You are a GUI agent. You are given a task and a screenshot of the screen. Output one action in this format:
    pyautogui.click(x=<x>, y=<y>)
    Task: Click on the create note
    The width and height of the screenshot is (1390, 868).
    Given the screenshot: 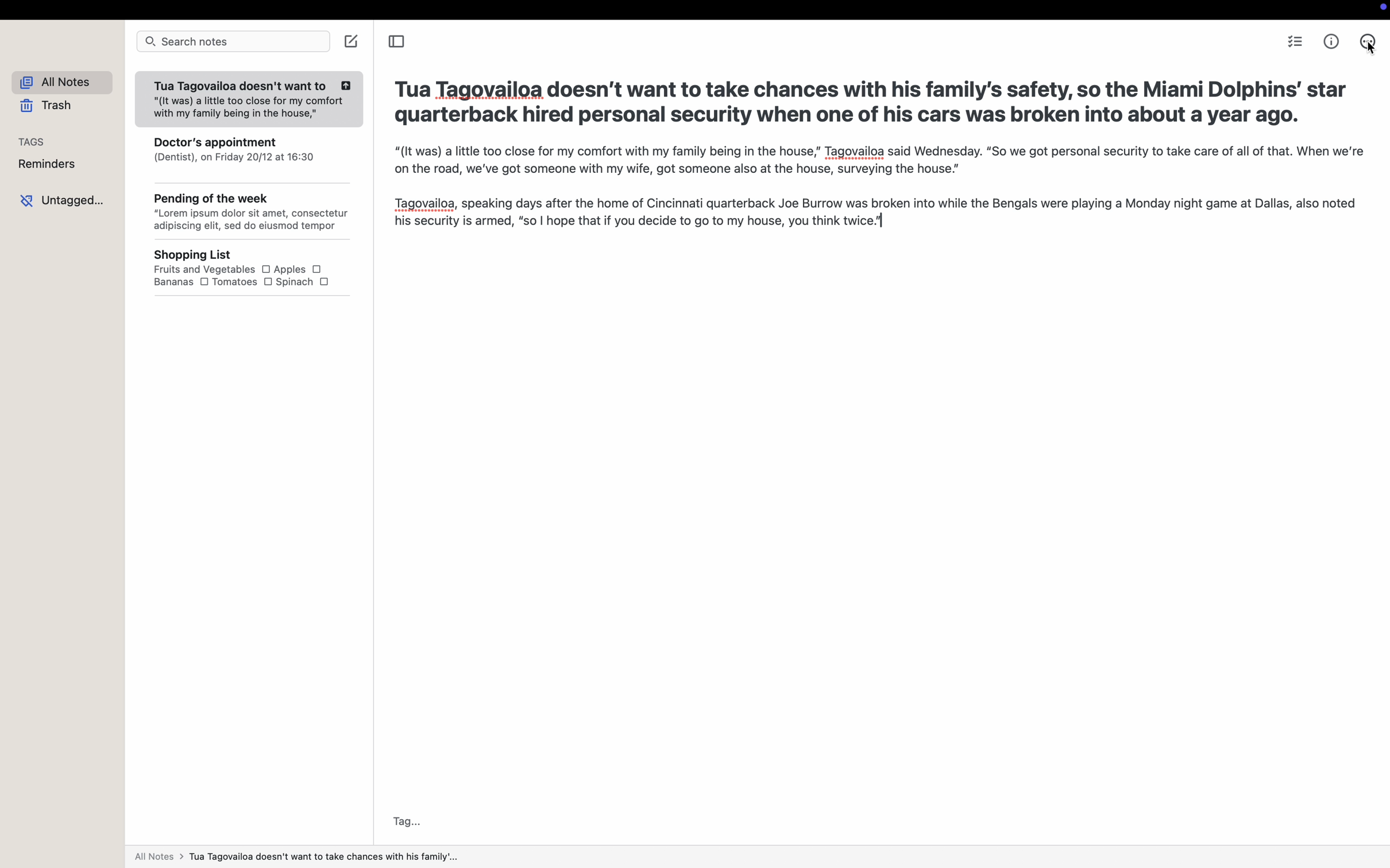 What is the action you would take?
    pyautogui.click(x=350, y=44)
    